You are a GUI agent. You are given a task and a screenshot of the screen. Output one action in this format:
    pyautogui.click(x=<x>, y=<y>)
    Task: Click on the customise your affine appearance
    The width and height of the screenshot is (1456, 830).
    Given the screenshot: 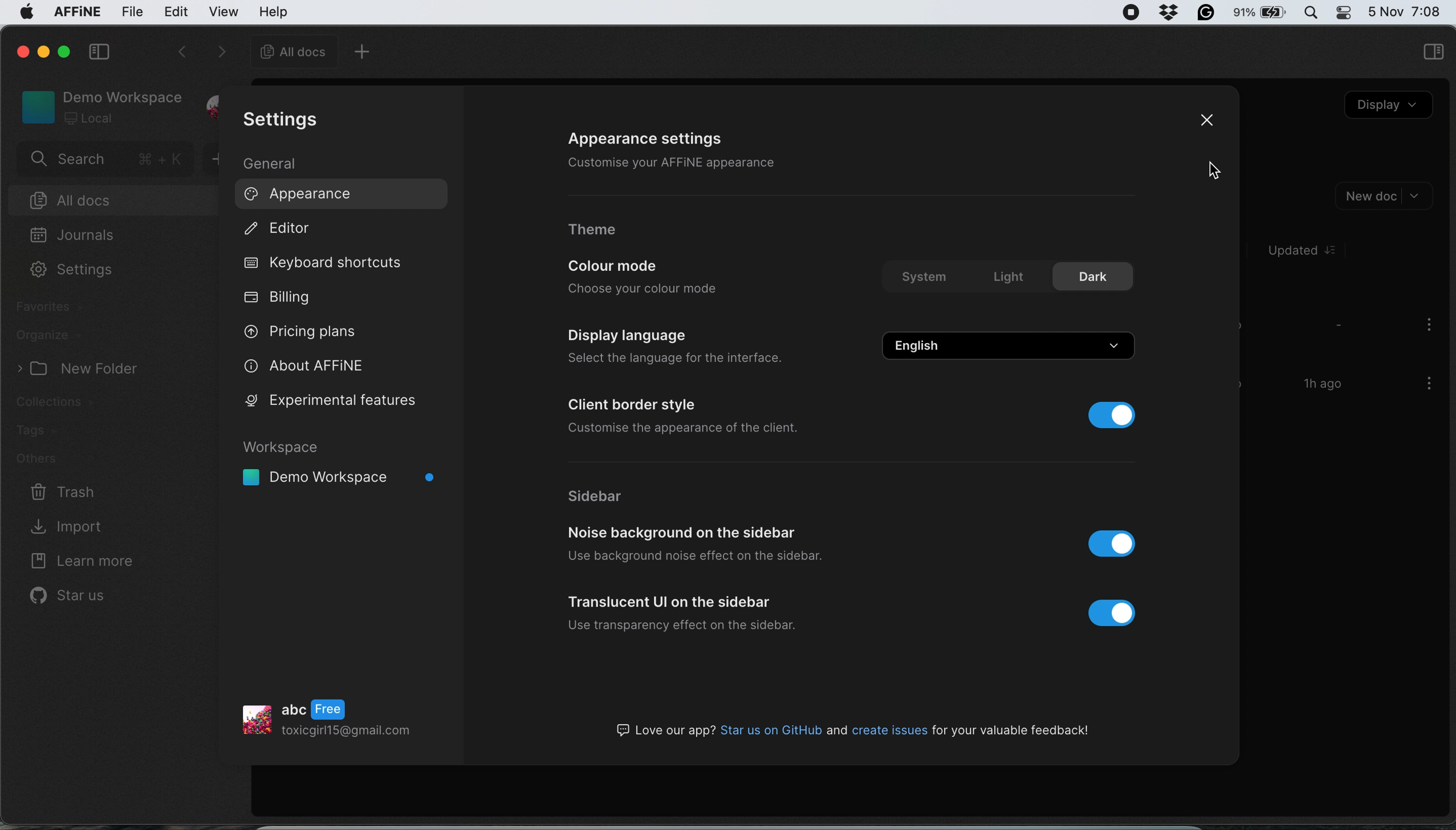 What is the action you would take?
    pyautogui.click(x=674, y=161)
    